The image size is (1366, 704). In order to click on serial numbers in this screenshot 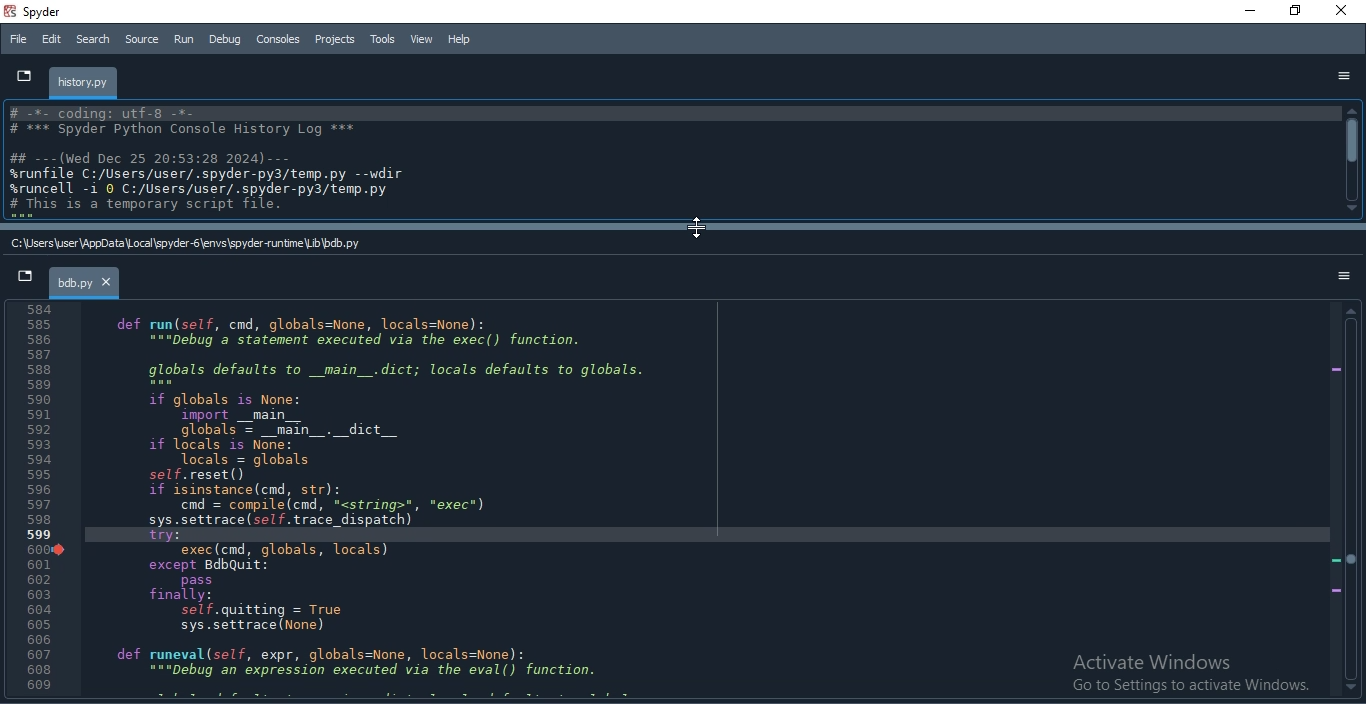, I will do `click(33, 500)`.